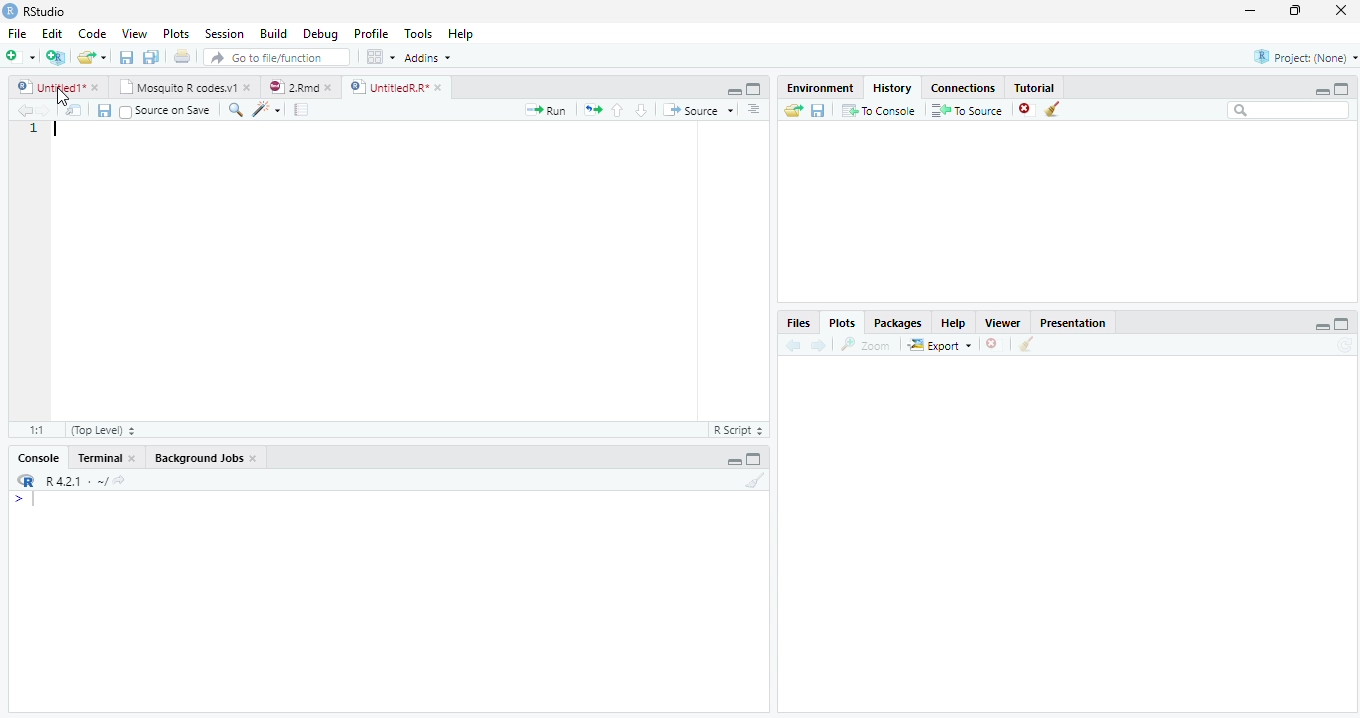 The width and height of the screenshot is (1360, 718). Describe the element at coordinates (740, 431) in the screenshot. I see `R Script` at that location.